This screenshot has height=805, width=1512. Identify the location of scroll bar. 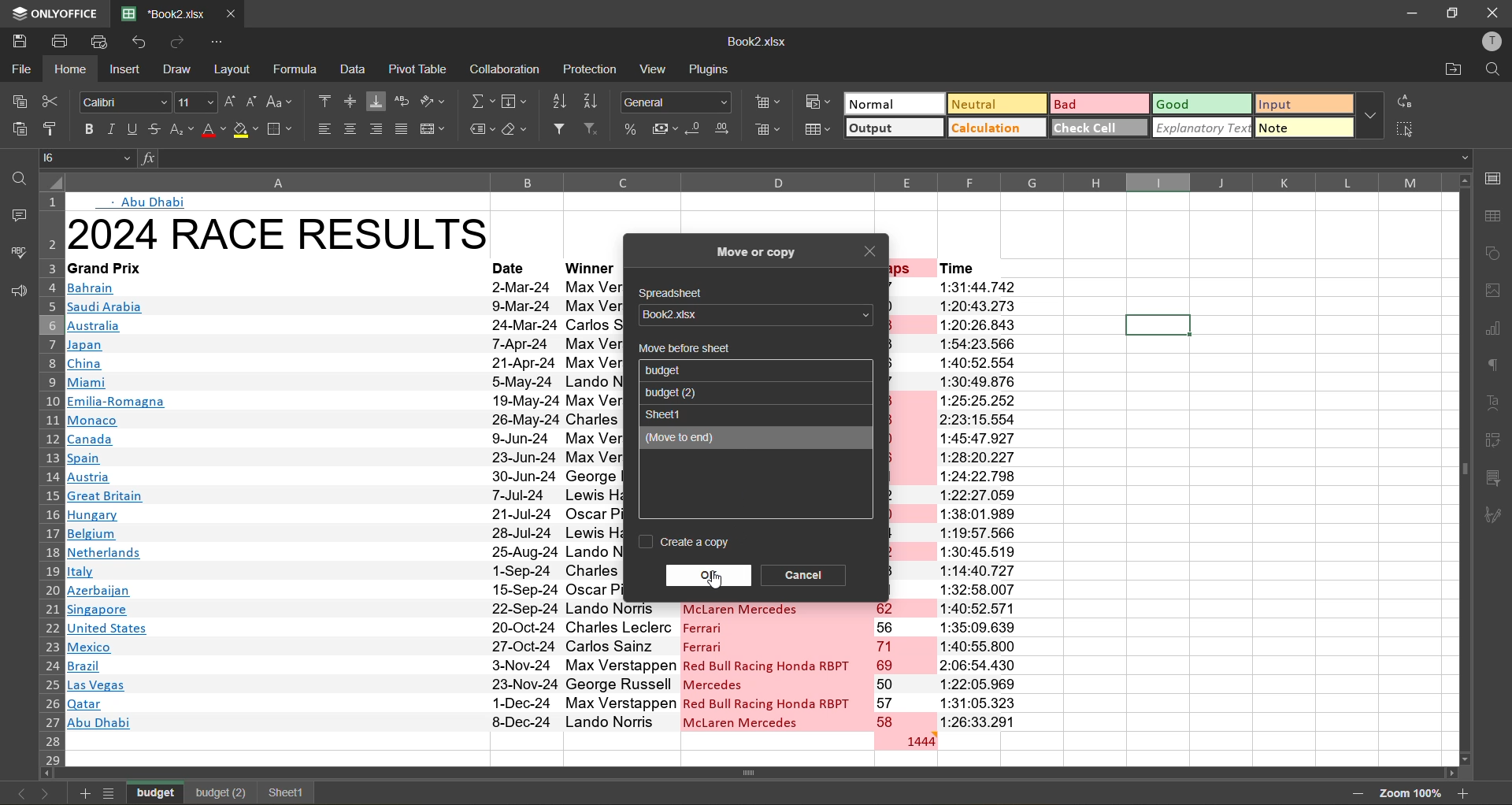
(1464, 395).